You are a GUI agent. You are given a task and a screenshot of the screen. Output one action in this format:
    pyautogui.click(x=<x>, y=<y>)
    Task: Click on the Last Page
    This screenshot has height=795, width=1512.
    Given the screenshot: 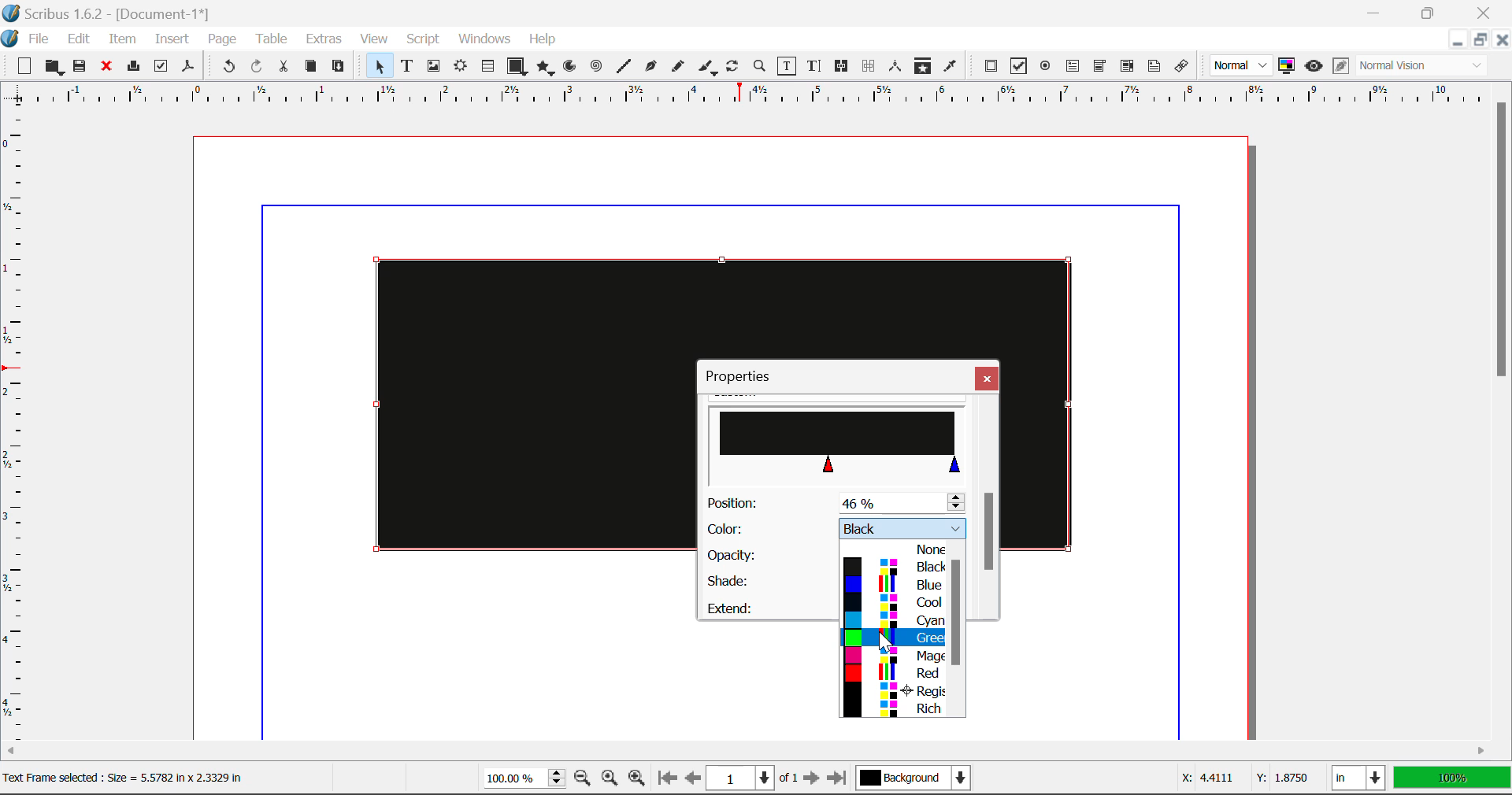 What is the action you would take?
    pyautogui.click(x=840, y=781)
    